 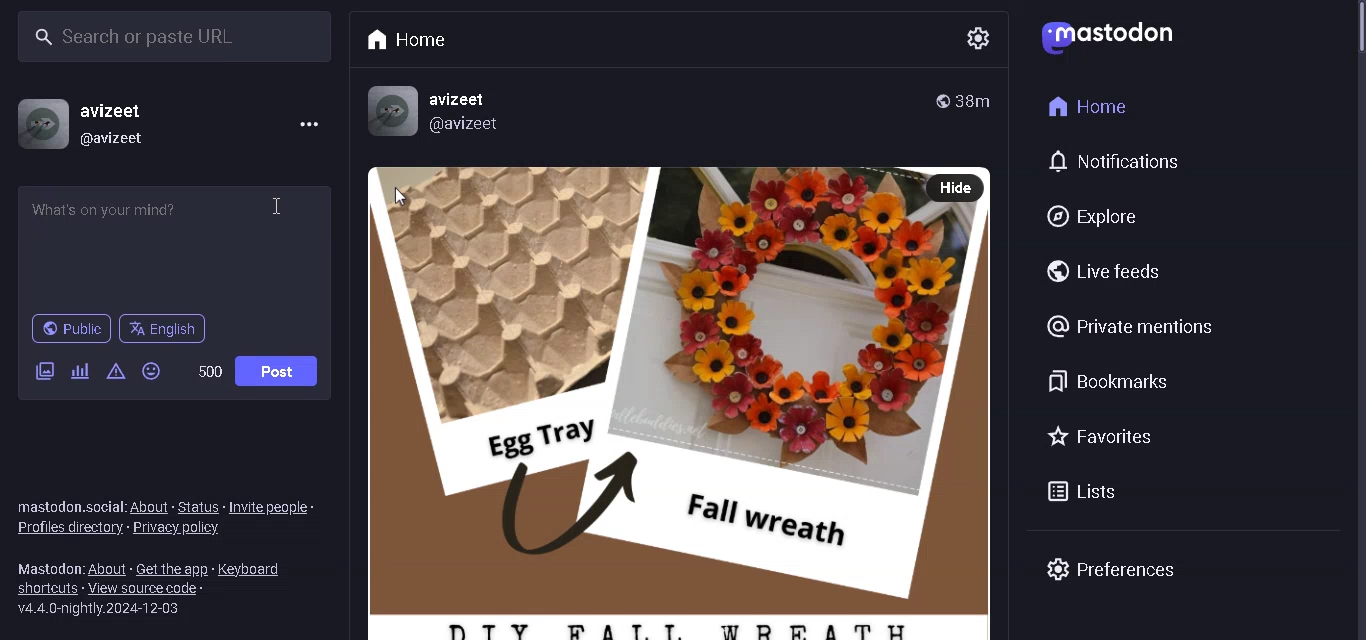 What do you see at coordinates (98, 610) in the screenshot?
I see `version` at bounding box center [98, 610].